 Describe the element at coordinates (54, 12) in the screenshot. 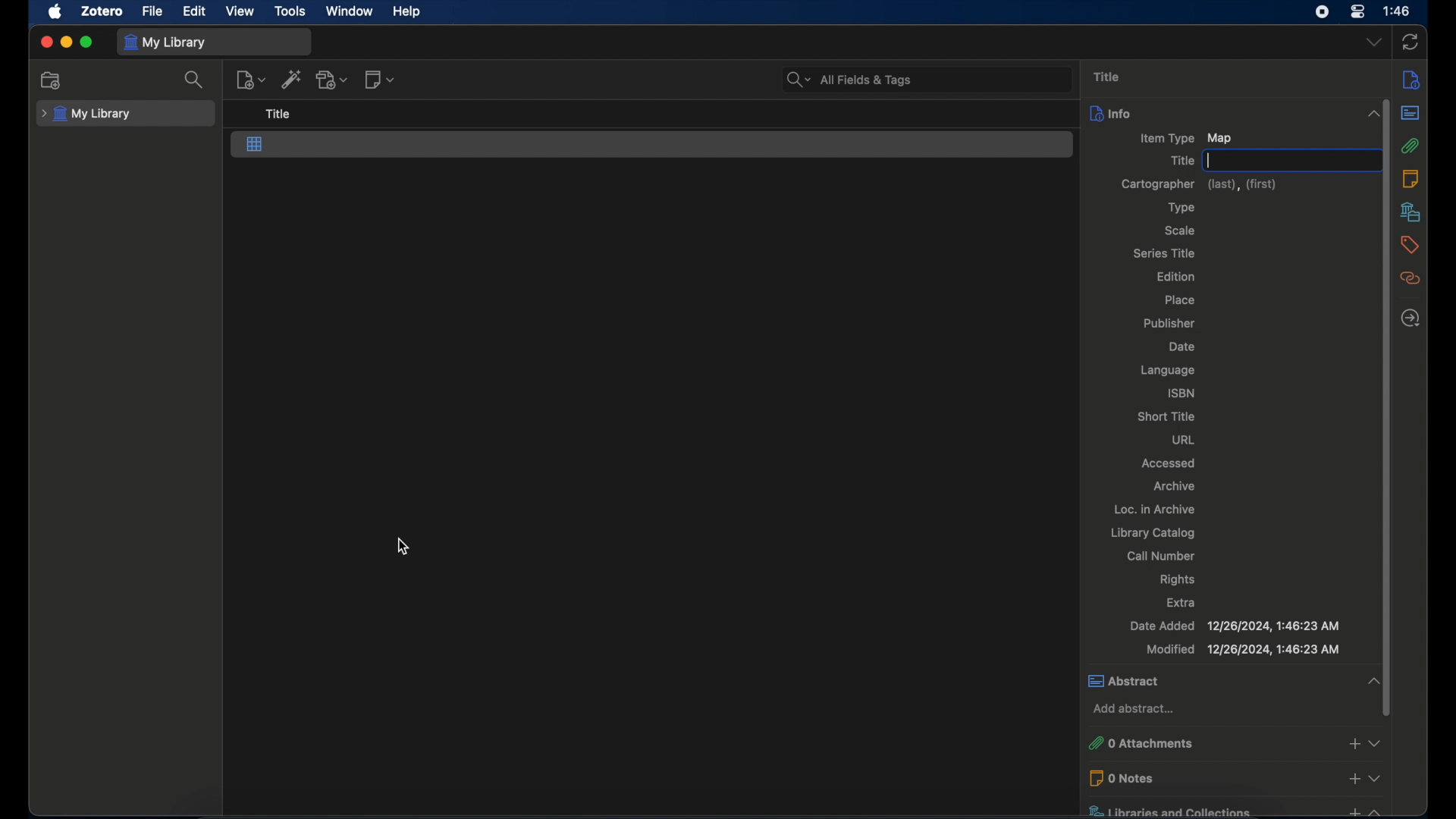

I see `apple` at that location.